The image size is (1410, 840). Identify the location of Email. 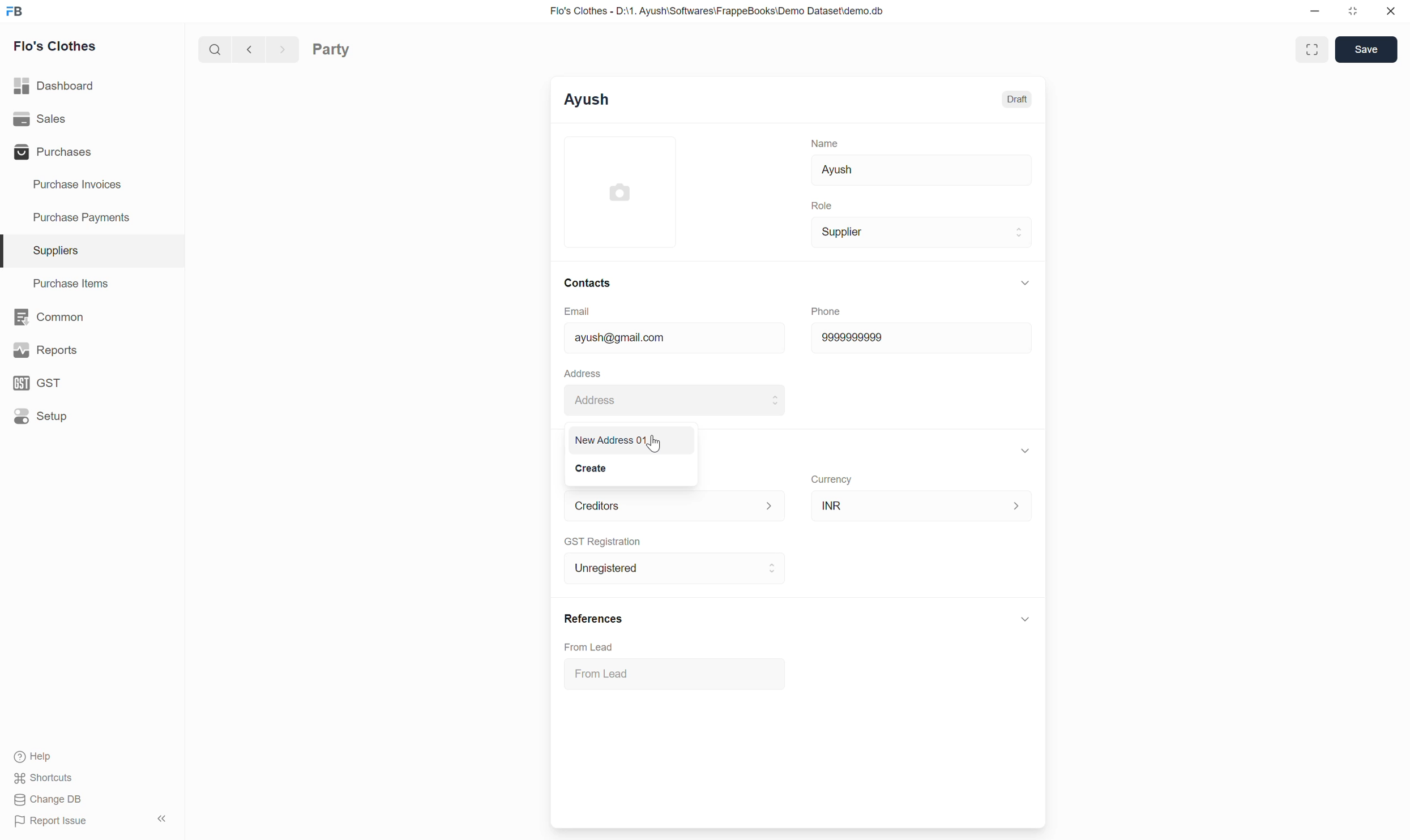
(577, 311).